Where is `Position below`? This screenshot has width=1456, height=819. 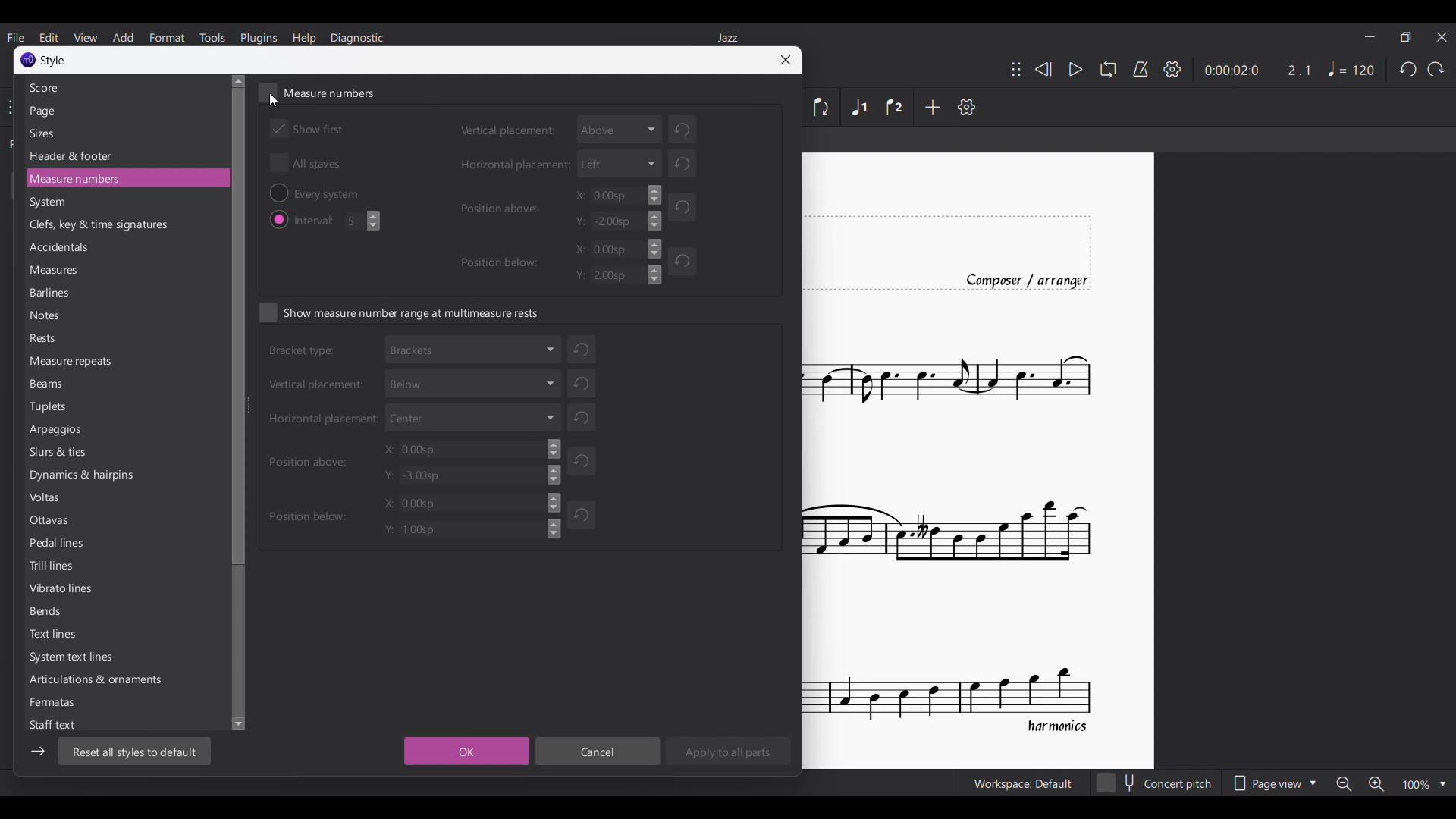
Position below is located at coordinates (306, 514).